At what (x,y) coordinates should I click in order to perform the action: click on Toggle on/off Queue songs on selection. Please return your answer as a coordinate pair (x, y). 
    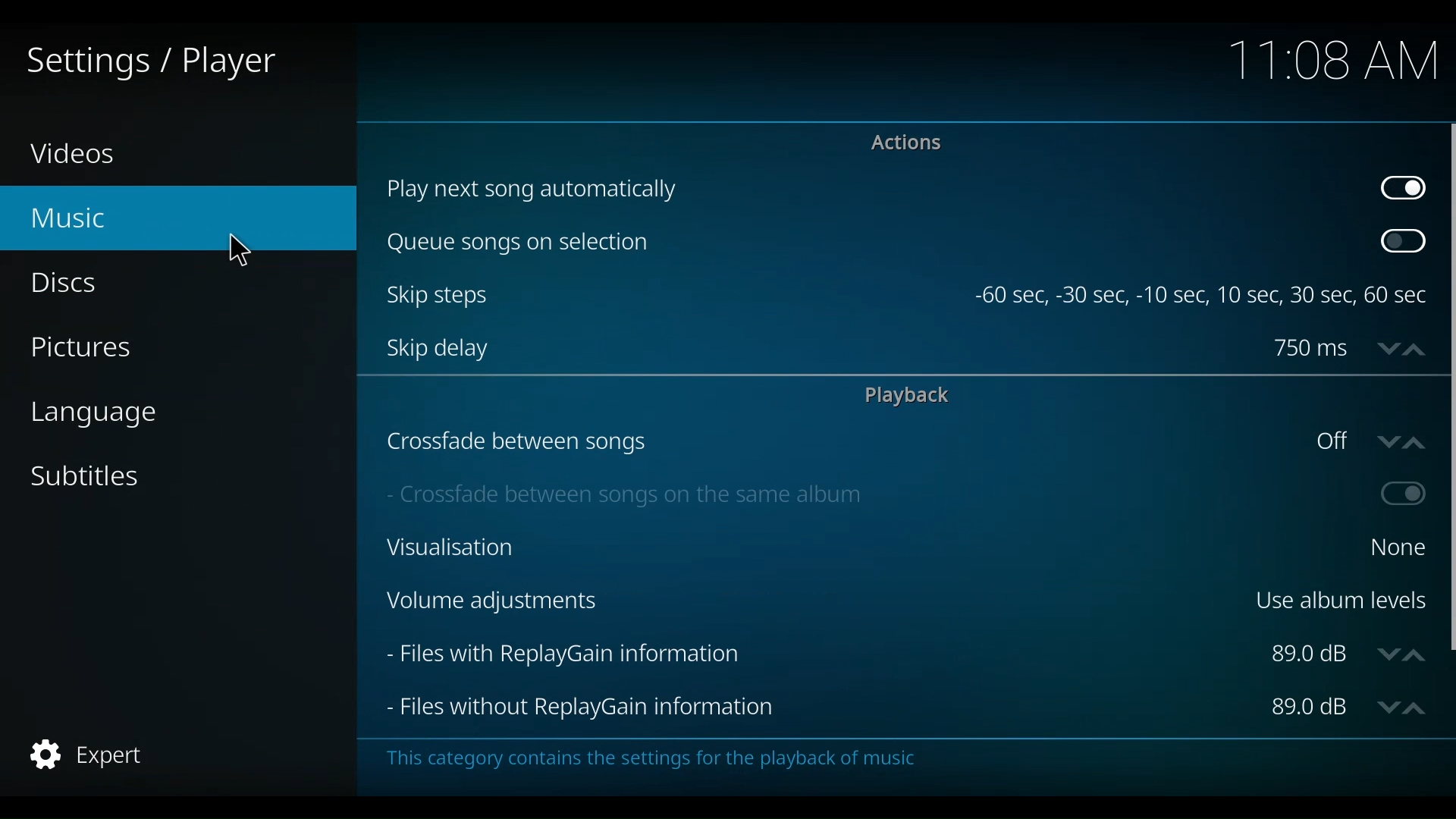
    Looking at the image, I should click on (1402, 242).